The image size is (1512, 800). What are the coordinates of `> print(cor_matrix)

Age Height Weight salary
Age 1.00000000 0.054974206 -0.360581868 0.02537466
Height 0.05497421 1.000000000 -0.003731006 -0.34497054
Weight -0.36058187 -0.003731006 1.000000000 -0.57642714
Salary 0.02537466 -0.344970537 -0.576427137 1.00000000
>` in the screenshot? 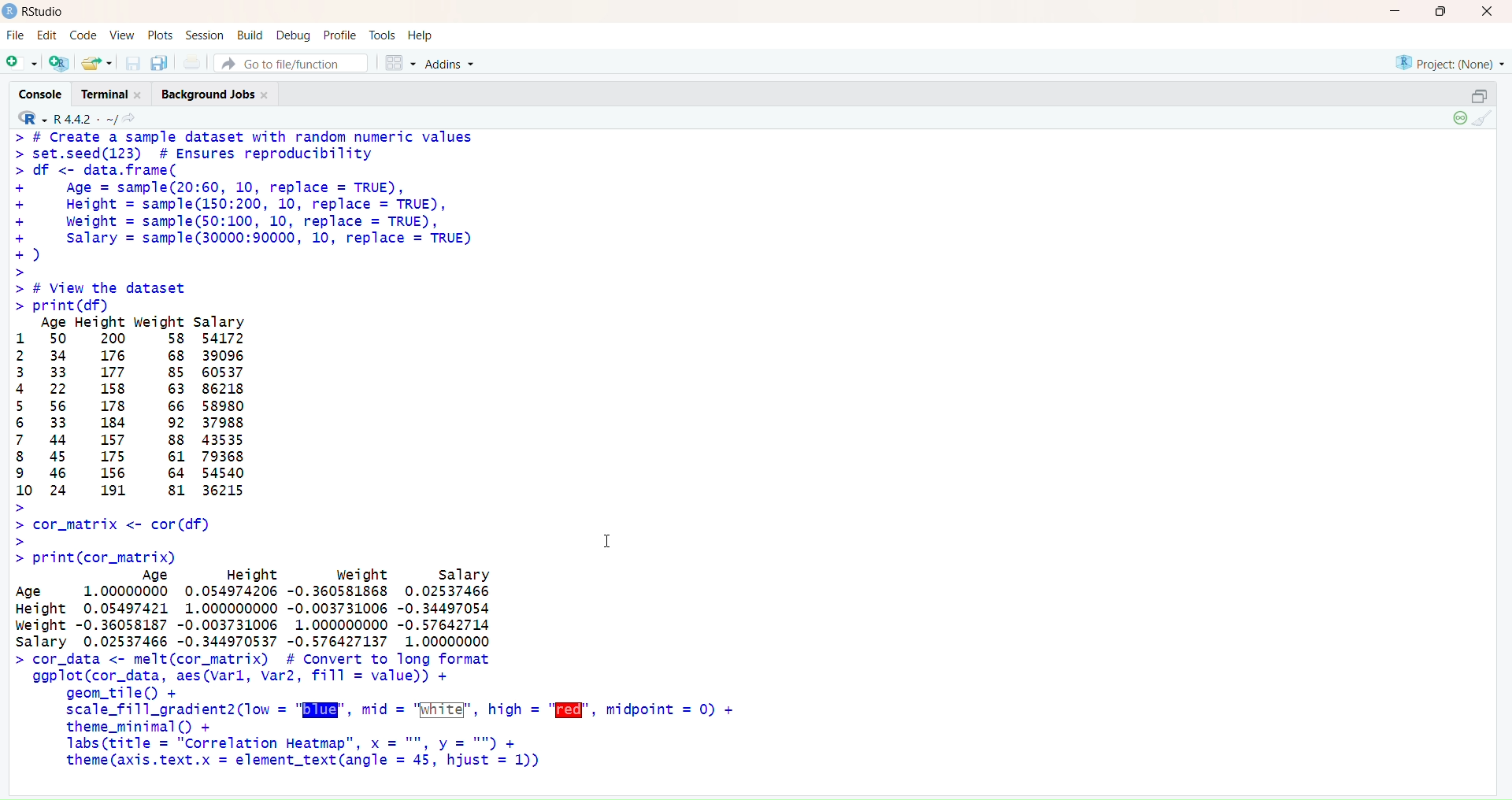 It's located at (260, 599).